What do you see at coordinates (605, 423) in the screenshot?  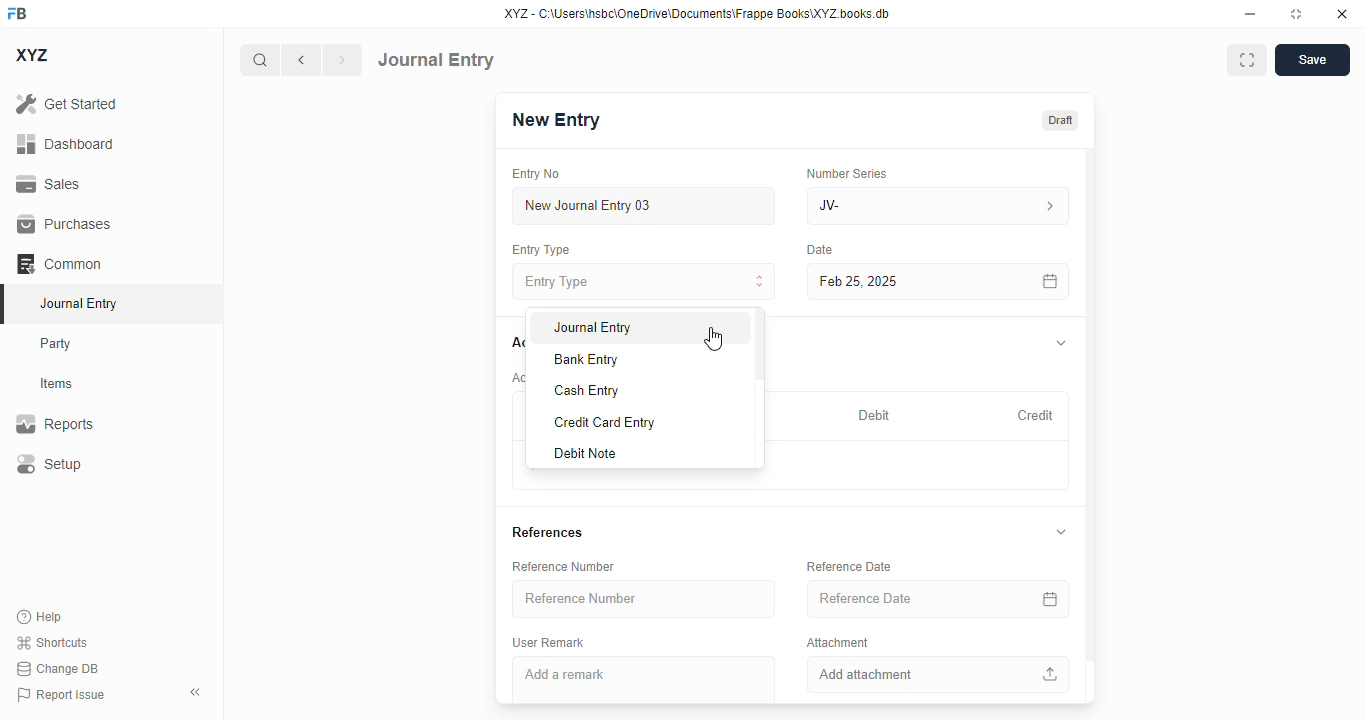 I see `credit card entry` at bounding box center [605, 423].